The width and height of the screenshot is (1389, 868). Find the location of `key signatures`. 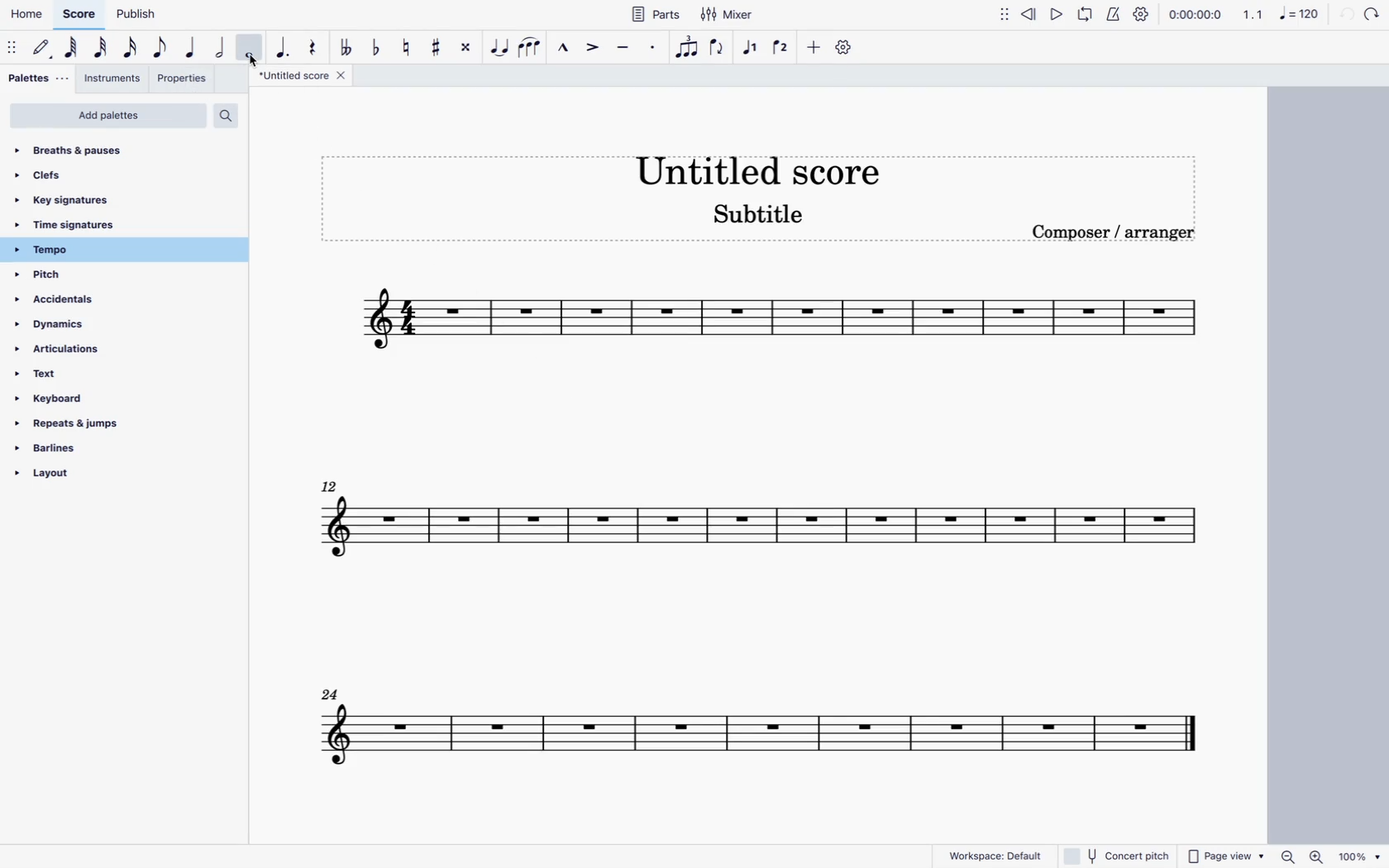

key signatures is located at coordinates (109, 202).